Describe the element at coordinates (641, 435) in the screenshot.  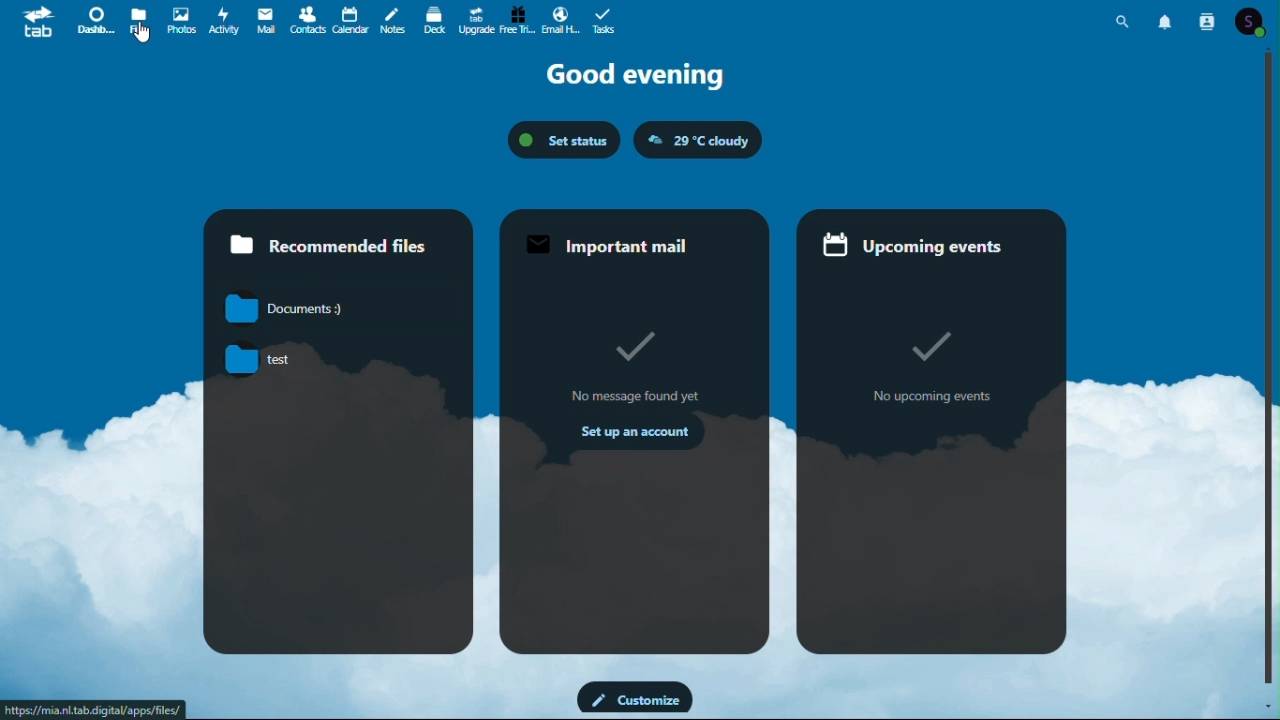
I see `Set up an account` at that location.